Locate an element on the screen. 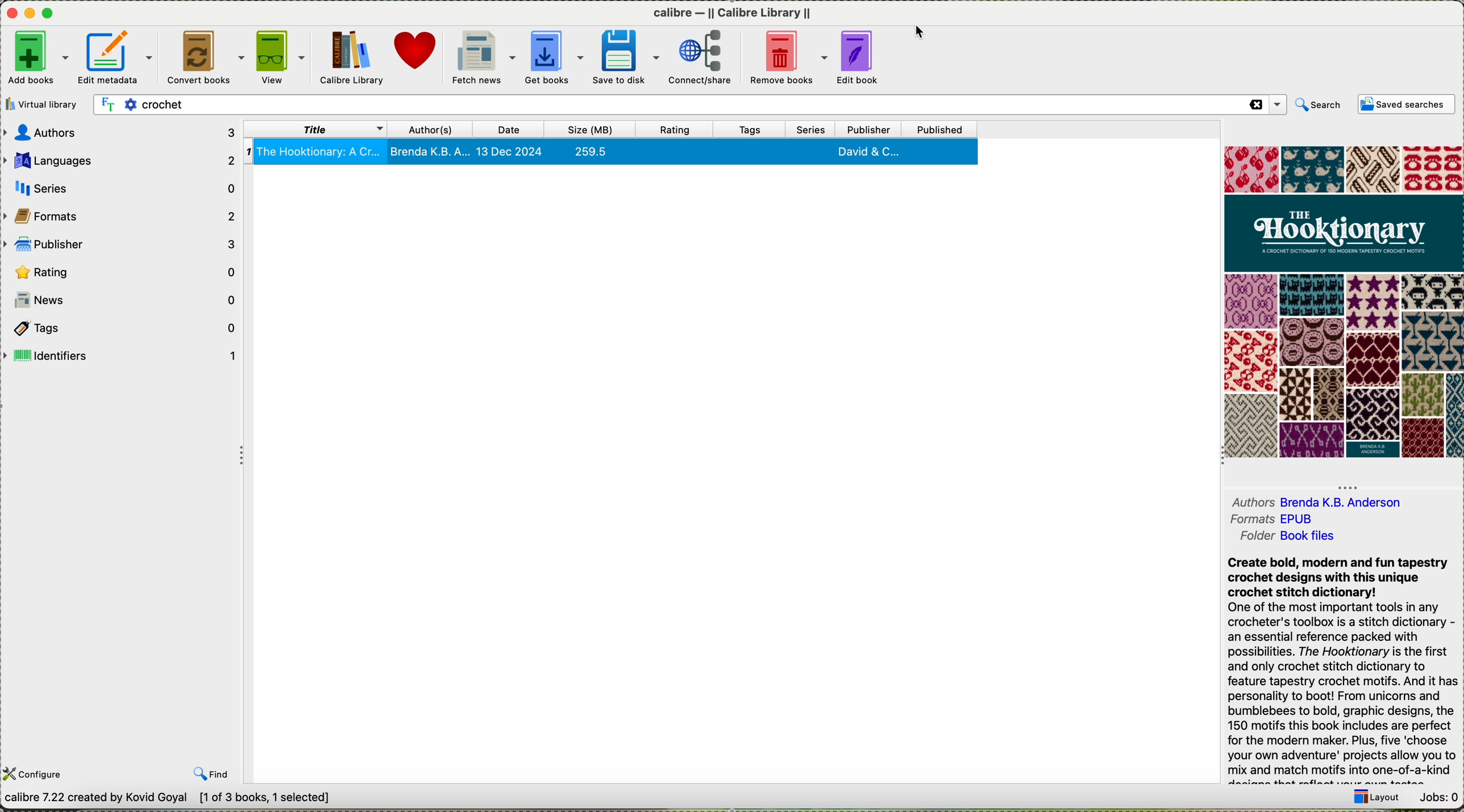 The height and width of the screenshot is (812, 1464). rating is located at coordinates (681, 129).